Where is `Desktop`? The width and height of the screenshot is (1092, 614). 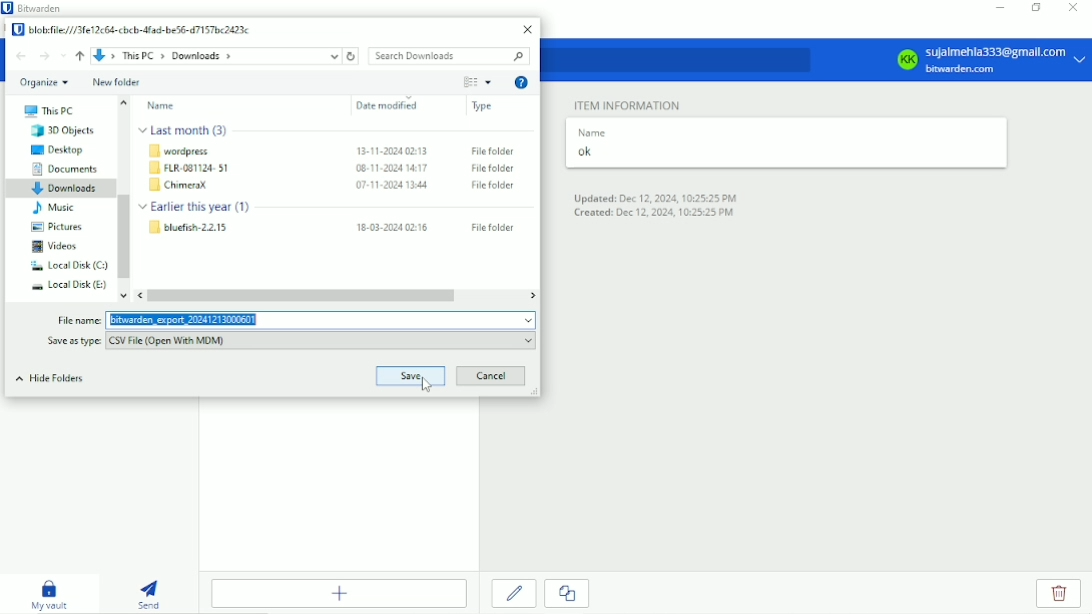 Desktop is located at coordinates (60, 150).